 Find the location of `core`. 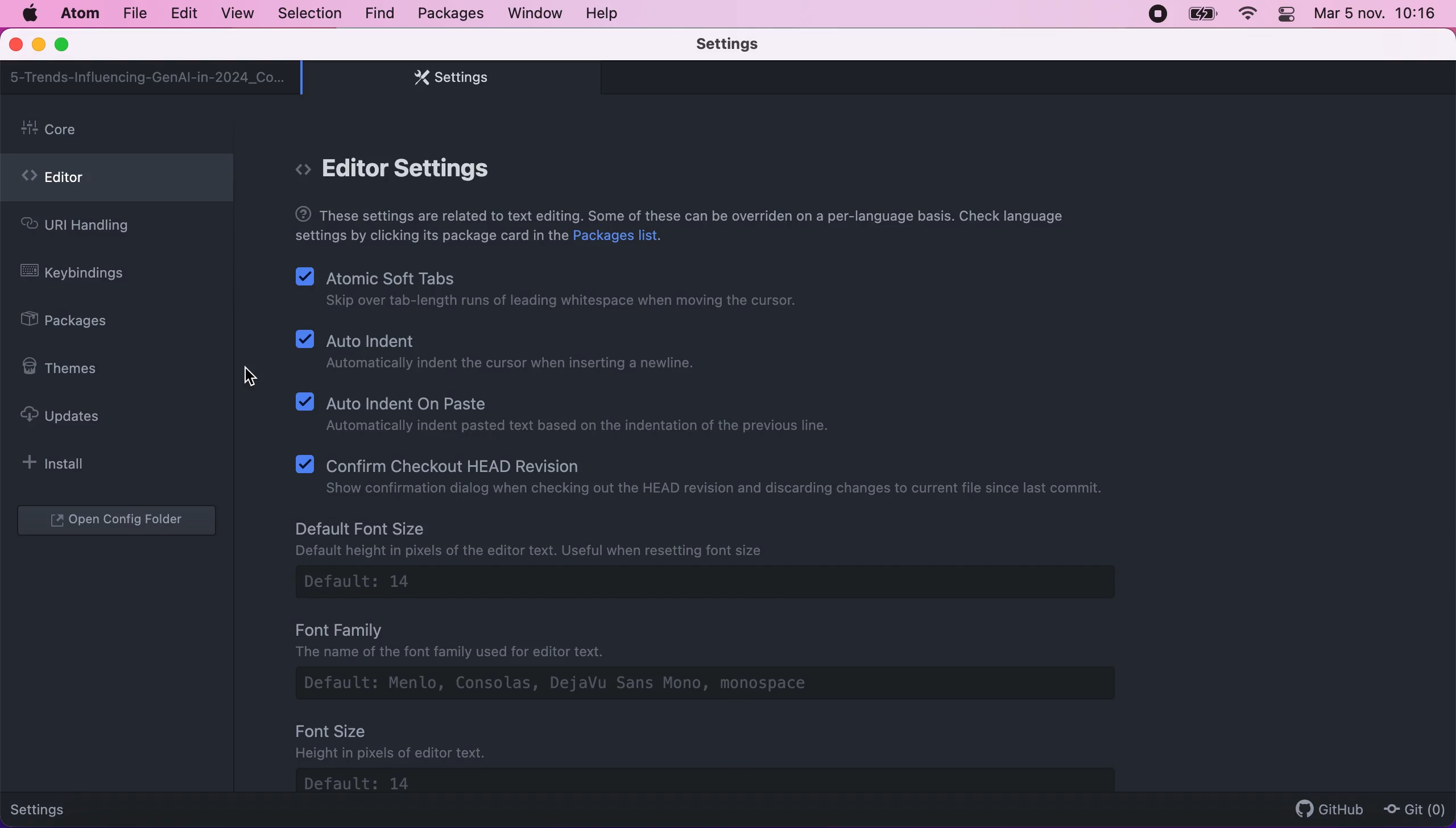

core is located at coordinates (120, 130).